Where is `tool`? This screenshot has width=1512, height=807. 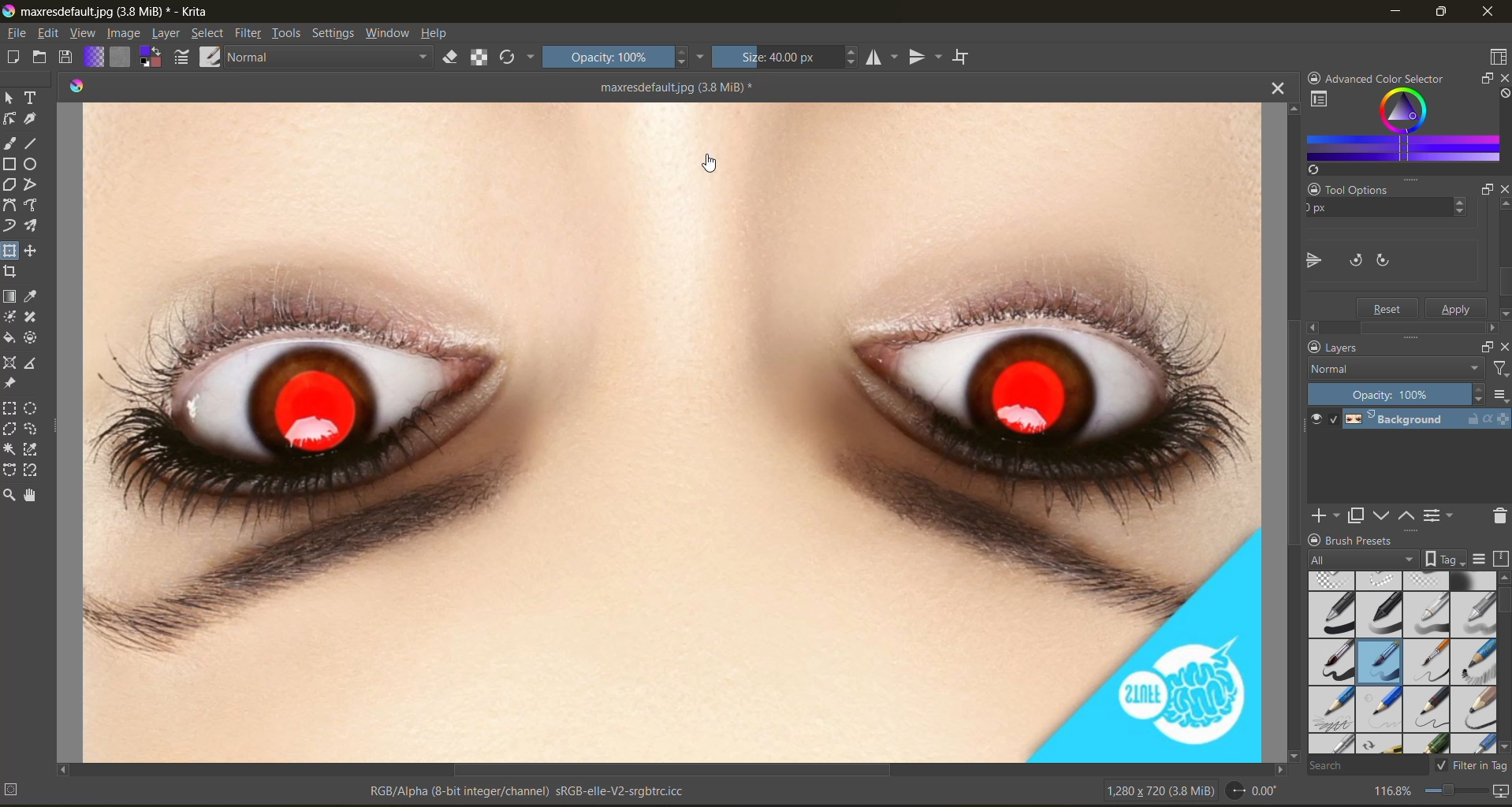 tool is located at coordinates (9, 383).